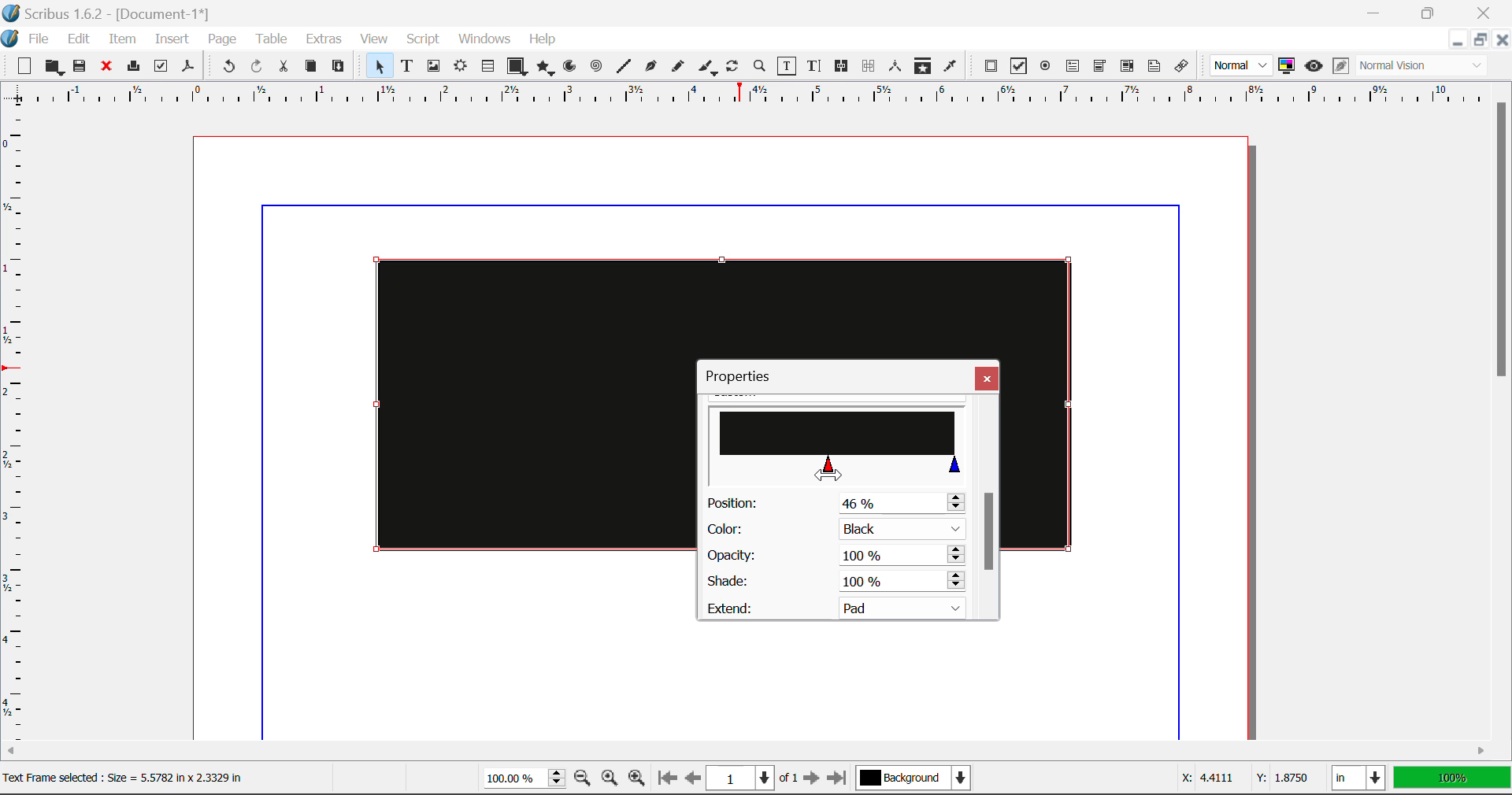  Describe the element at coordinates (543, 39) in the screenshot. I see `Help` at that location.